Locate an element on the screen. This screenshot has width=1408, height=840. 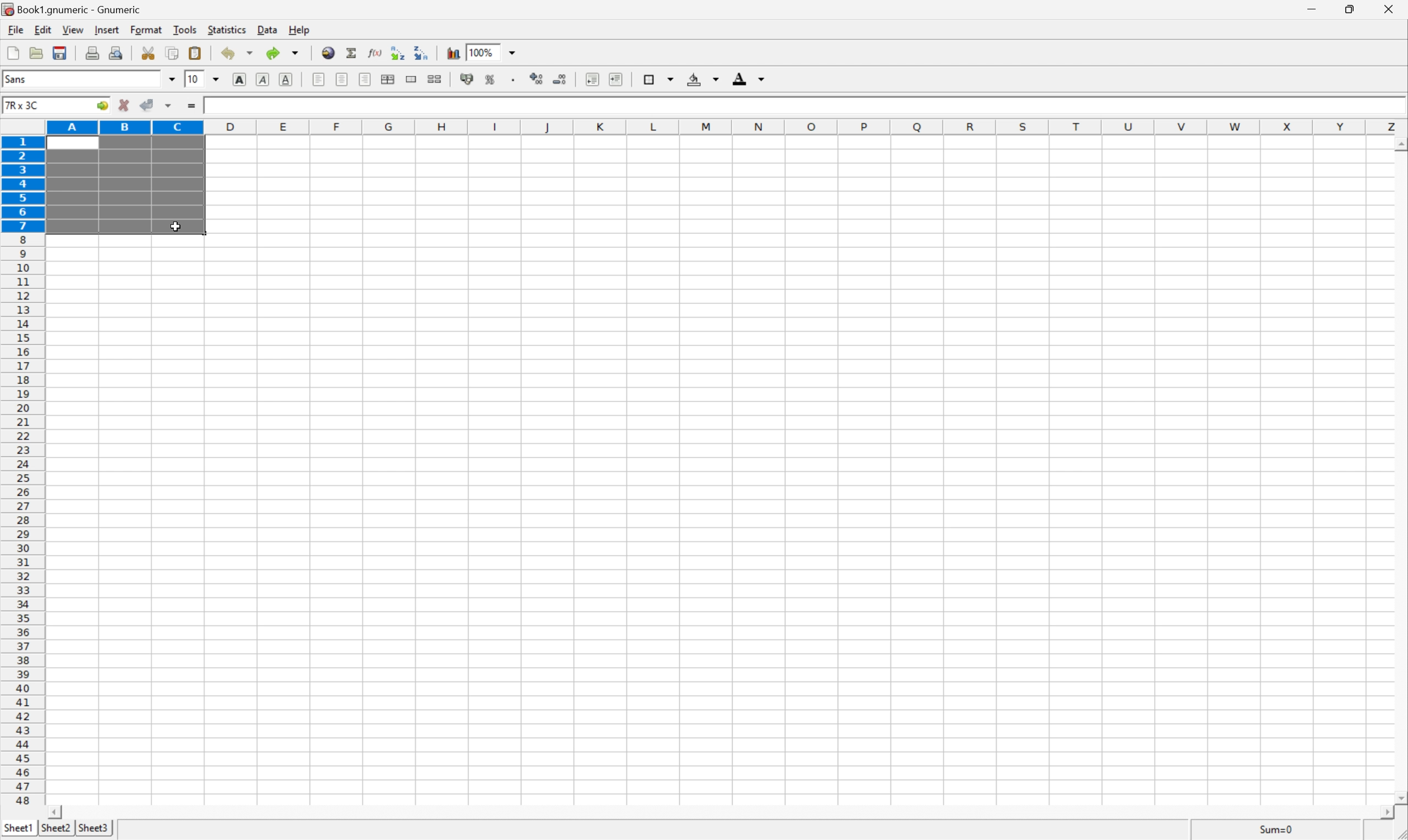
format is located at coordinates (146, 29).